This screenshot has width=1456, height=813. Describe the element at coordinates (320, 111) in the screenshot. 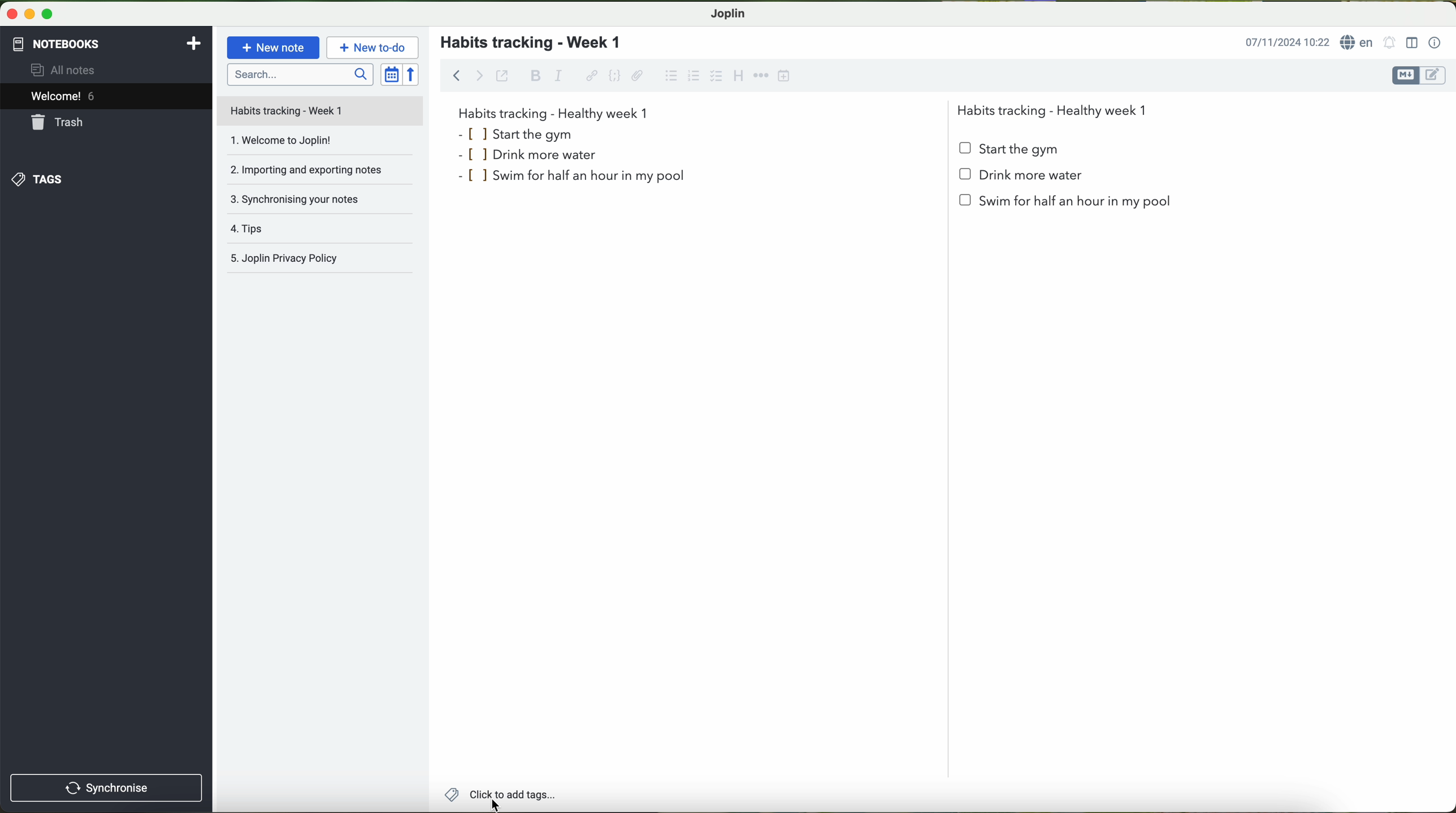

I see `file title` at that location.